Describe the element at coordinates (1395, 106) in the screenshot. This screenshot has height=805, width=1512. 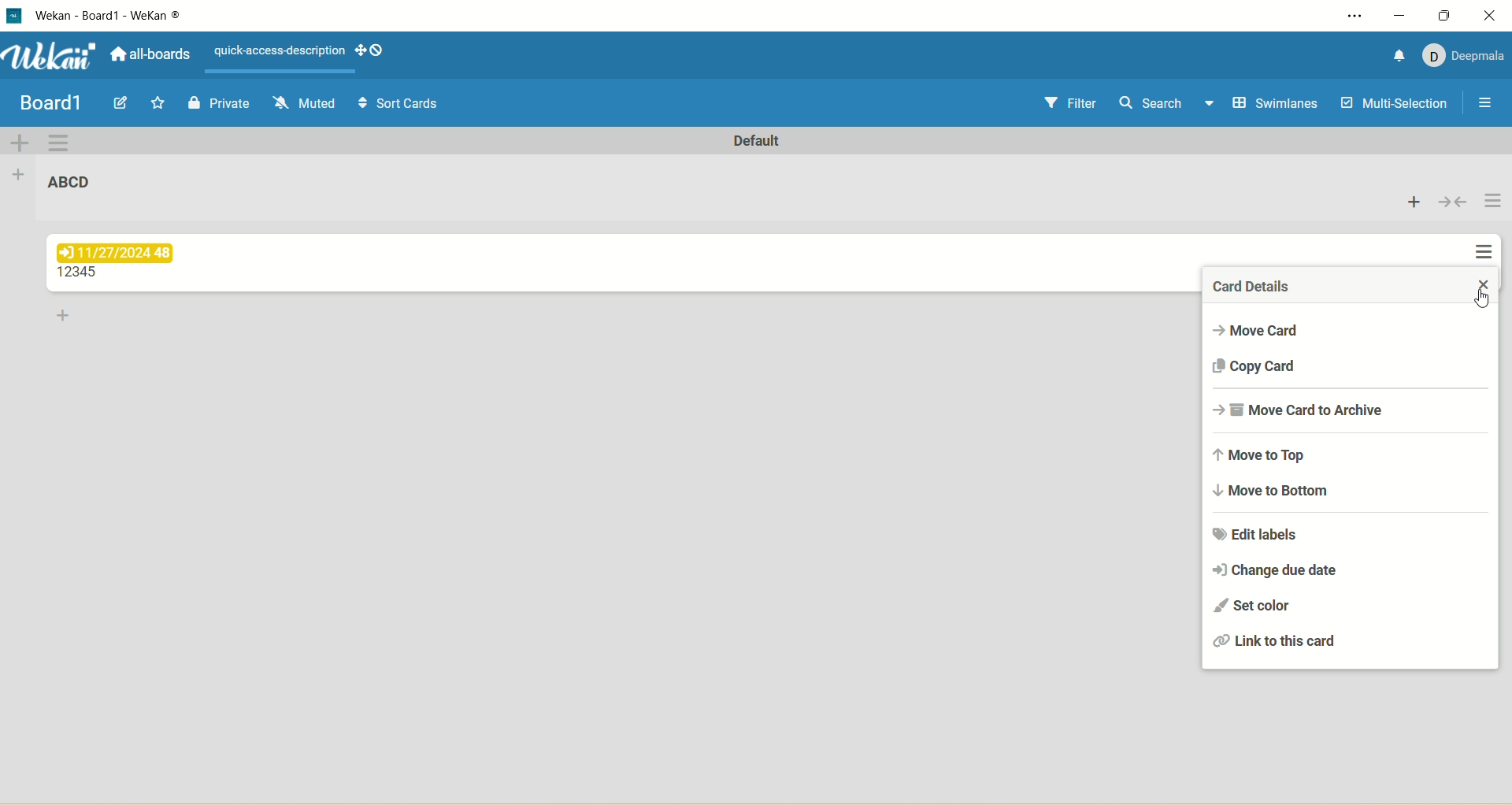
I see `multi-selection` at that location.